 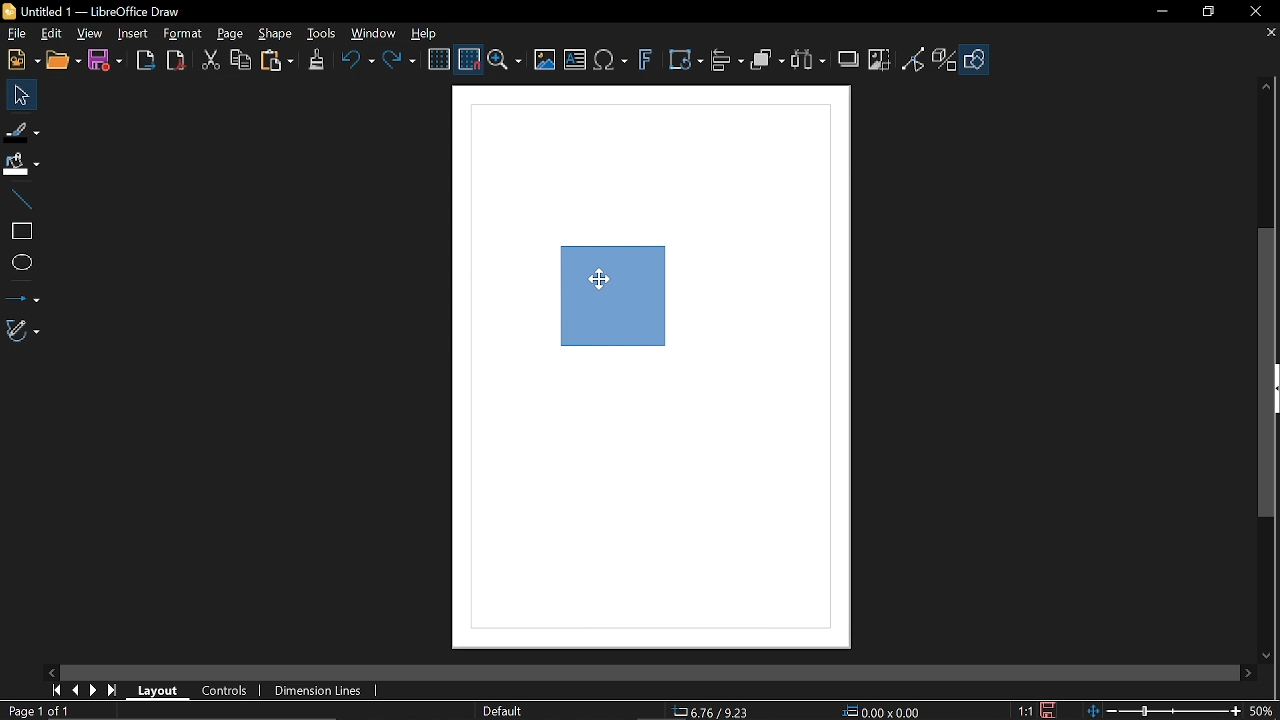 I want to click on Lines and arrows, so click(x=22, y=296).